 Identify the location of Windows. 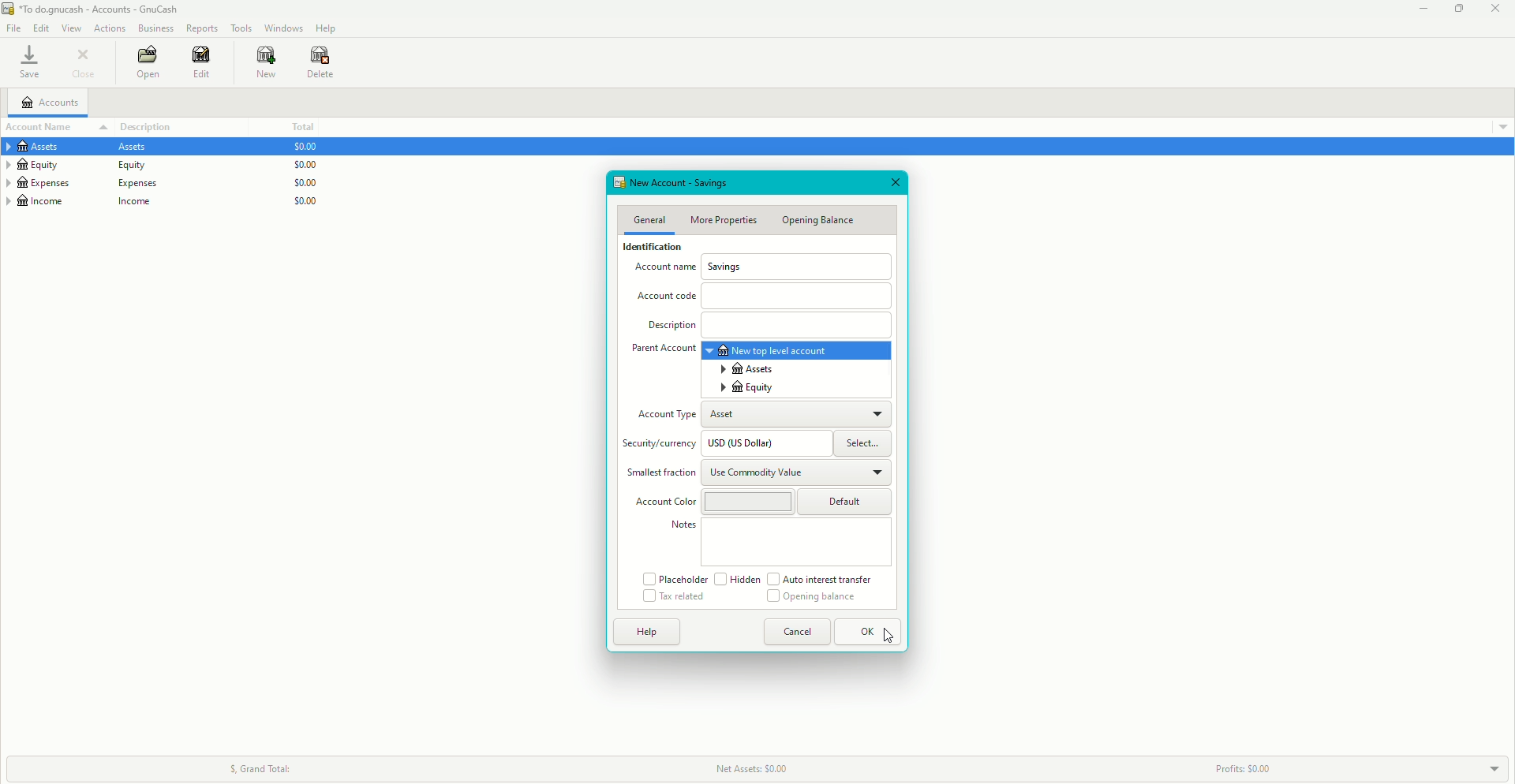
(282, 27).